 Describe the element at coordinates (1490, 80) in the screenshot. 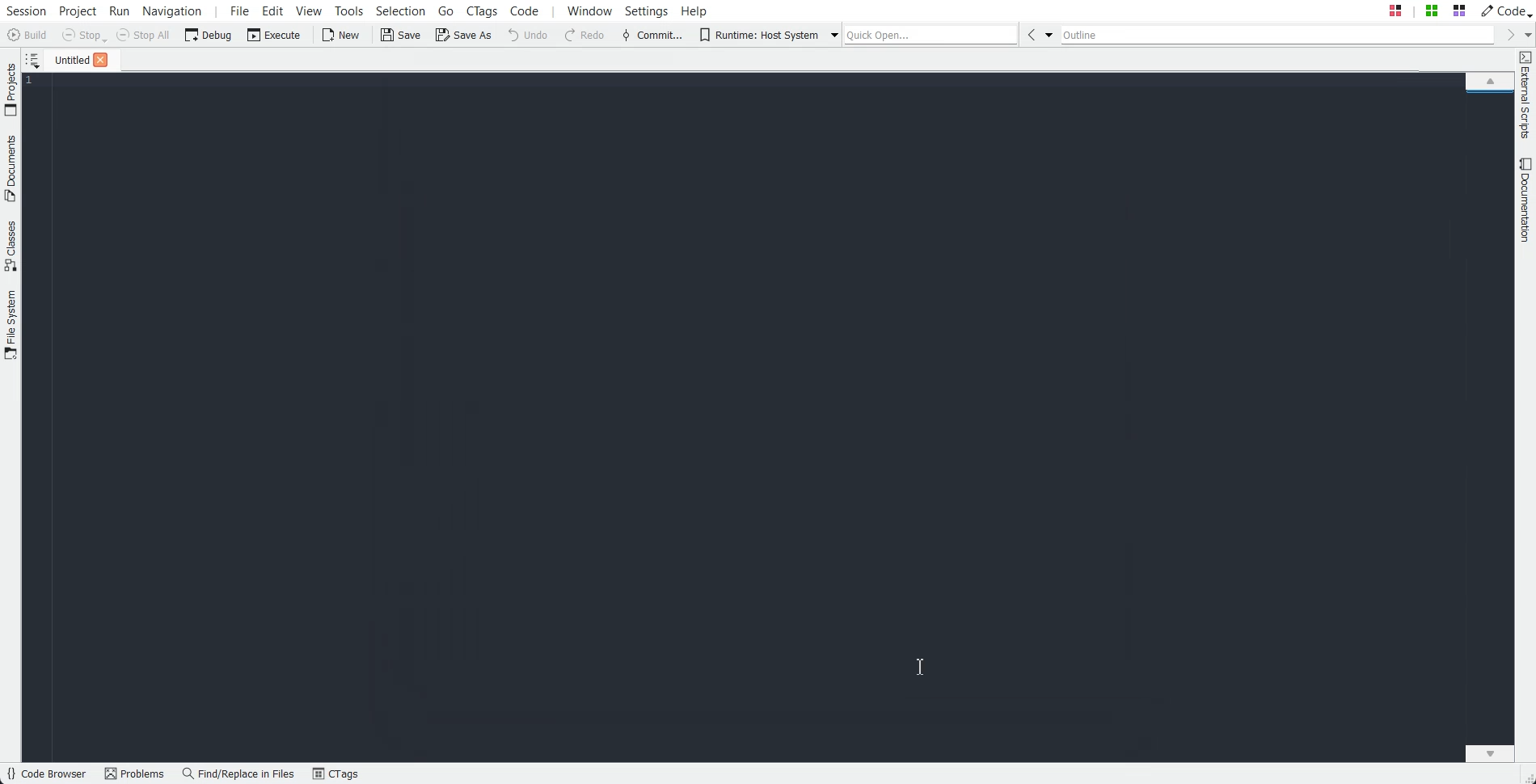

I see `Scroll up` at that location.